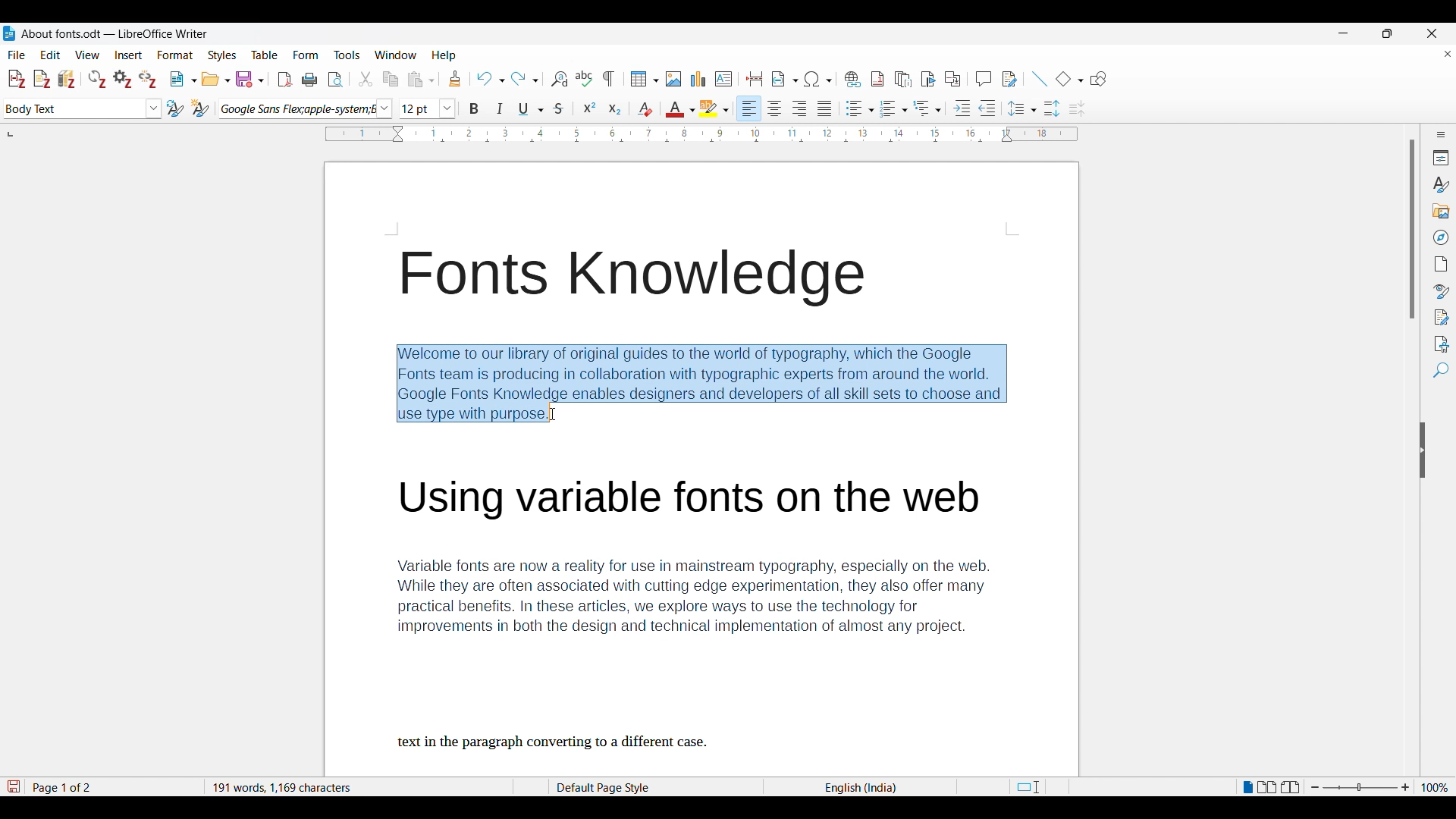  What do you see at coordinates (1078, 109) in the screenshot?
I see `Decrease paragraph spacing` at bounding box center [1078, 109].